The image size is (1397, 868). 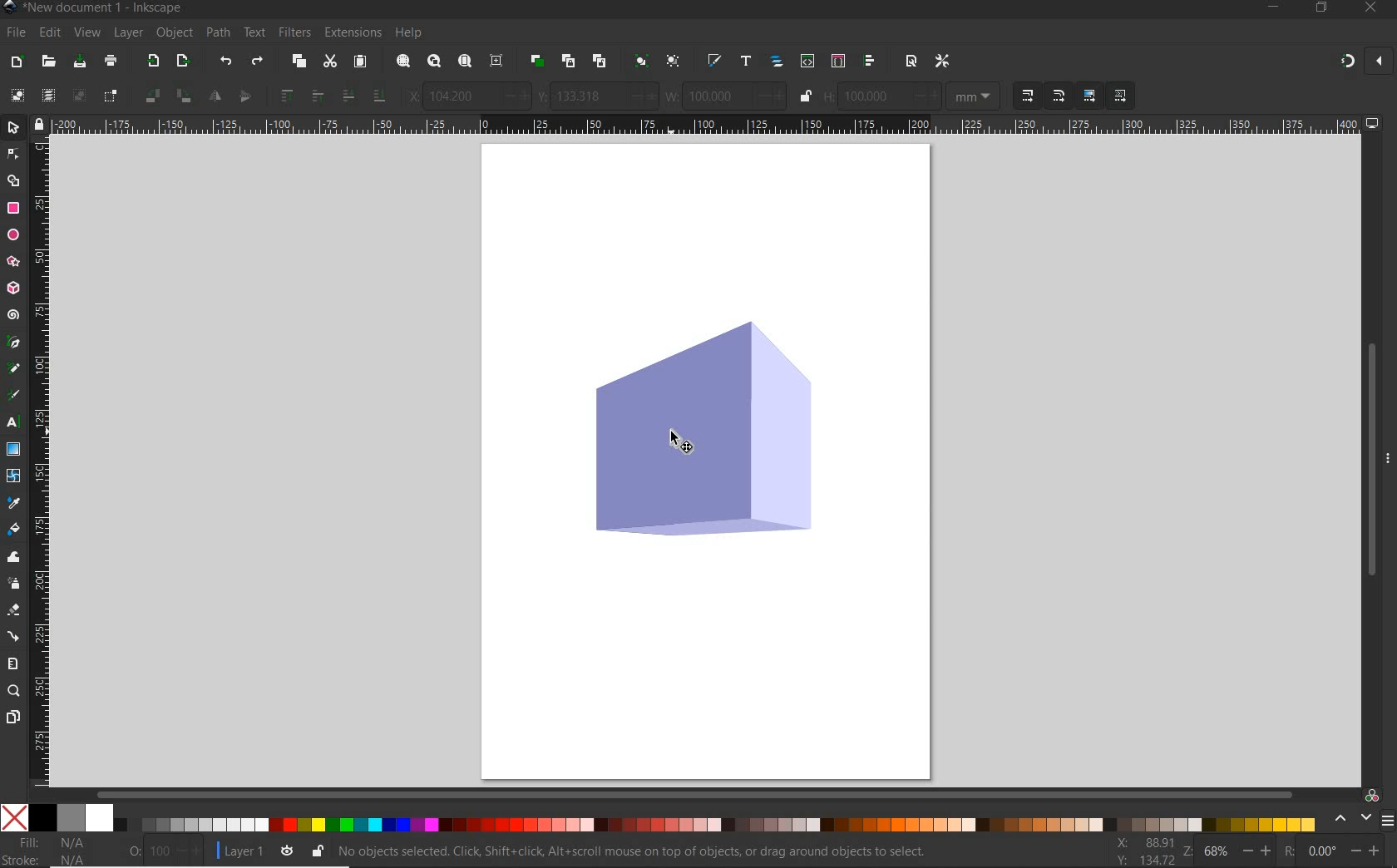 I want to click on increase/decrease, so click(x=771, y=96).